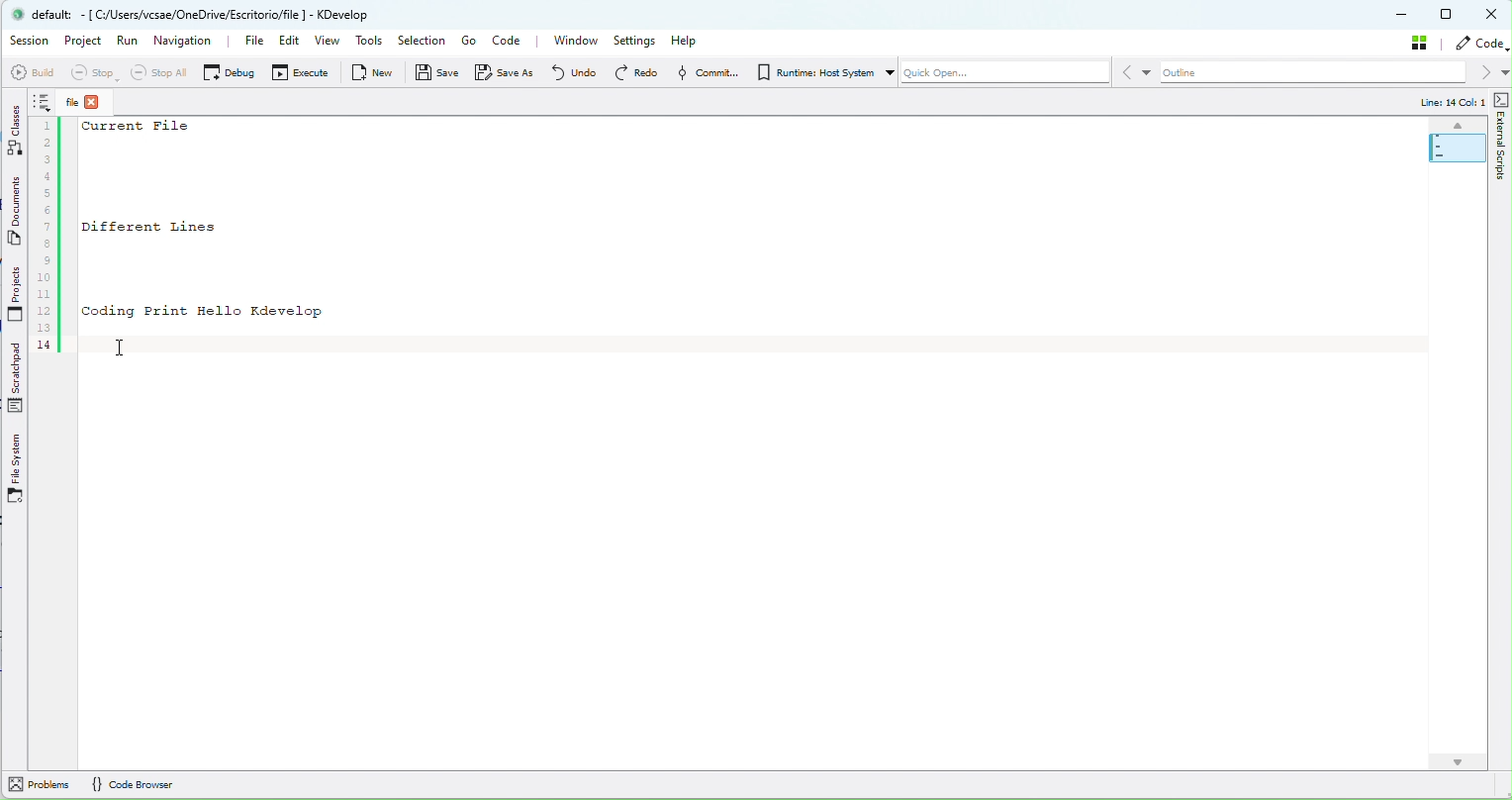  I want to click on Project, so click(86, 43).